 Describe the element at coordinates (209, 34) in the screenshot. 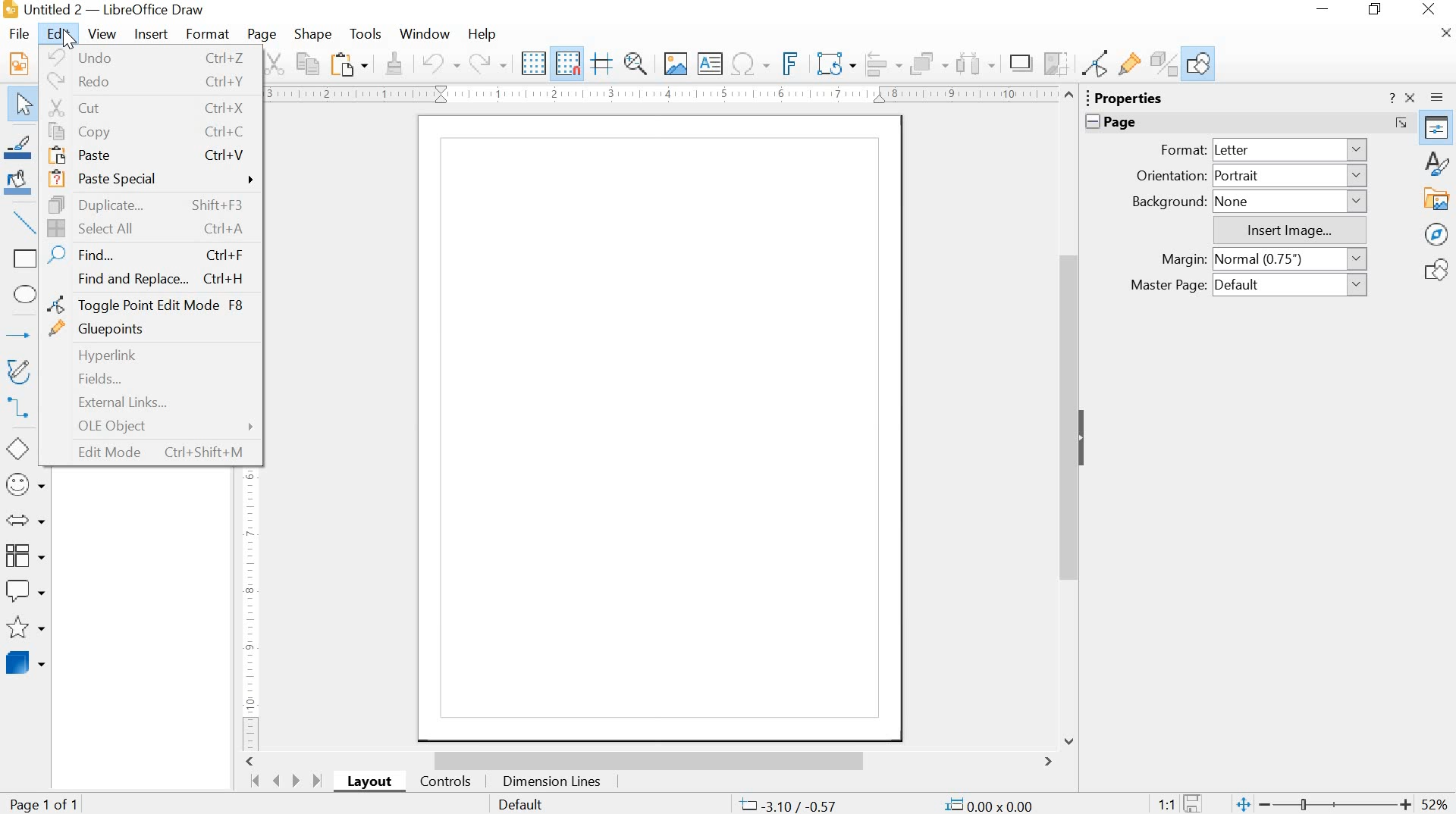

I see `Format` at that location.